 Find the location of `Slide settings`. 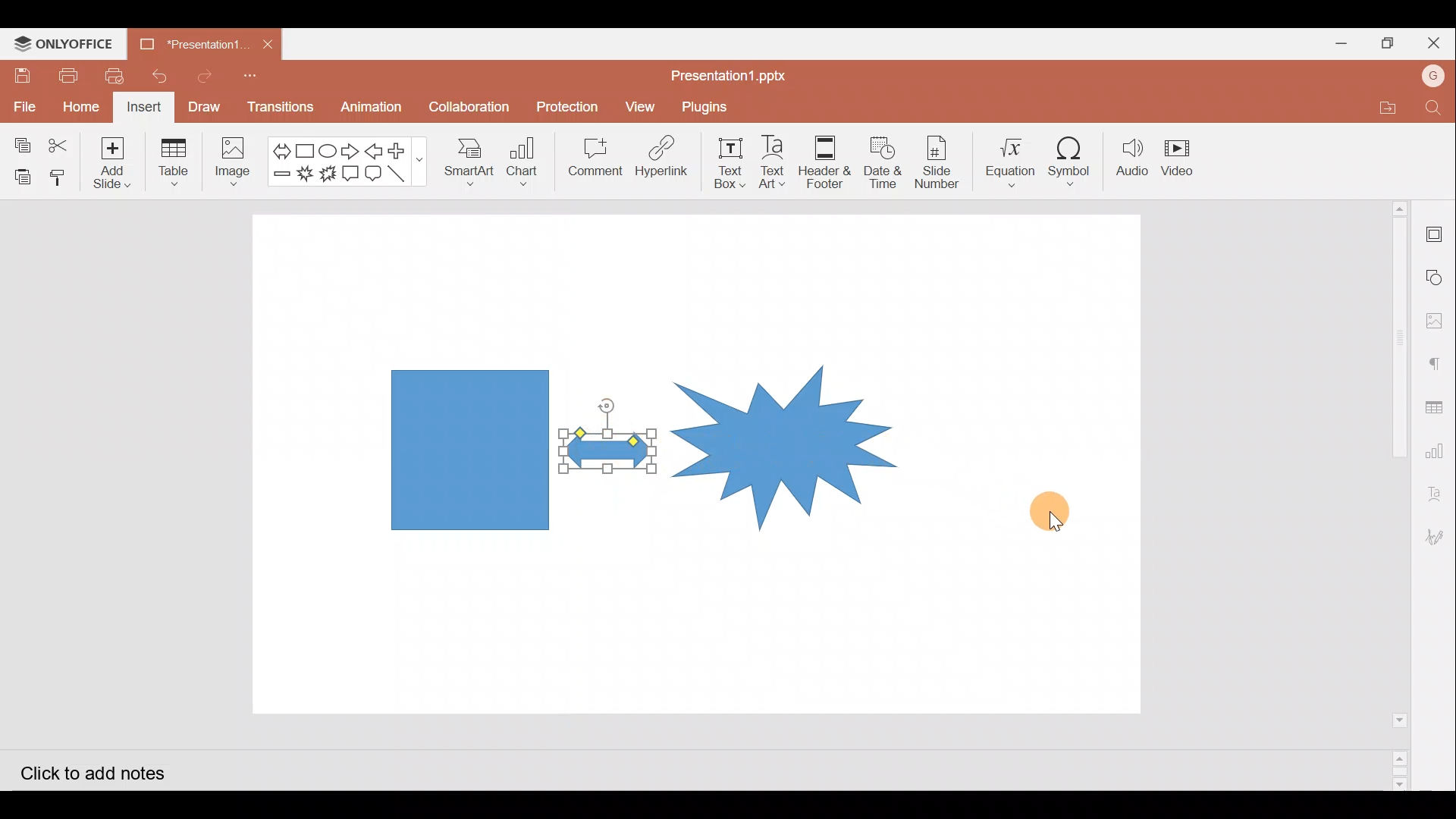

Slide settings is located at coordinates (1435, 229).